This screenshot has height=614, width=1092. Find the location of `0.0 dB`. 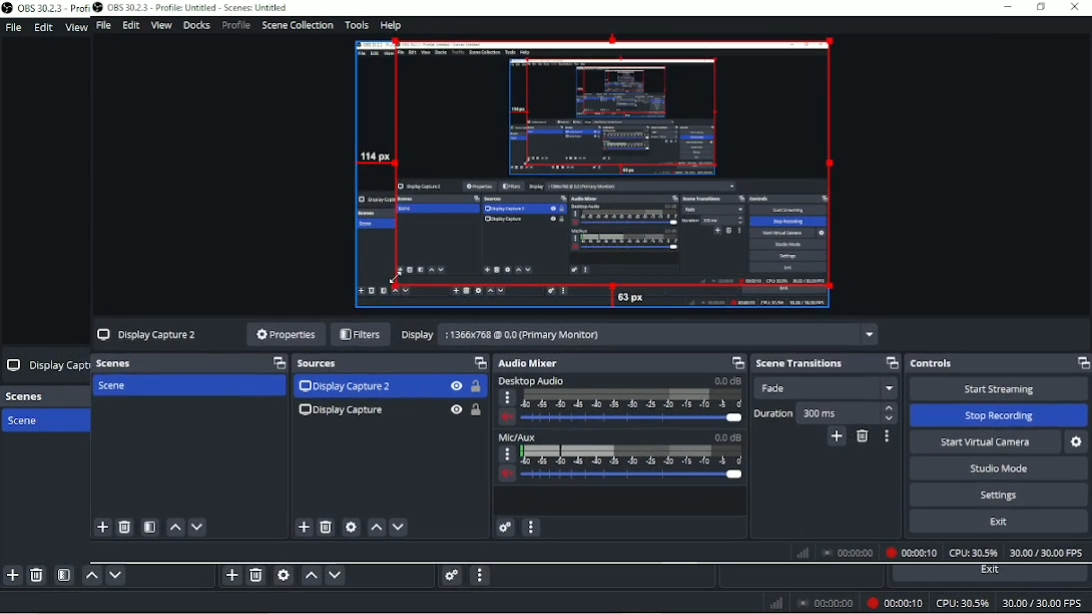

0.0 dB is located at coordinates (724, 437).